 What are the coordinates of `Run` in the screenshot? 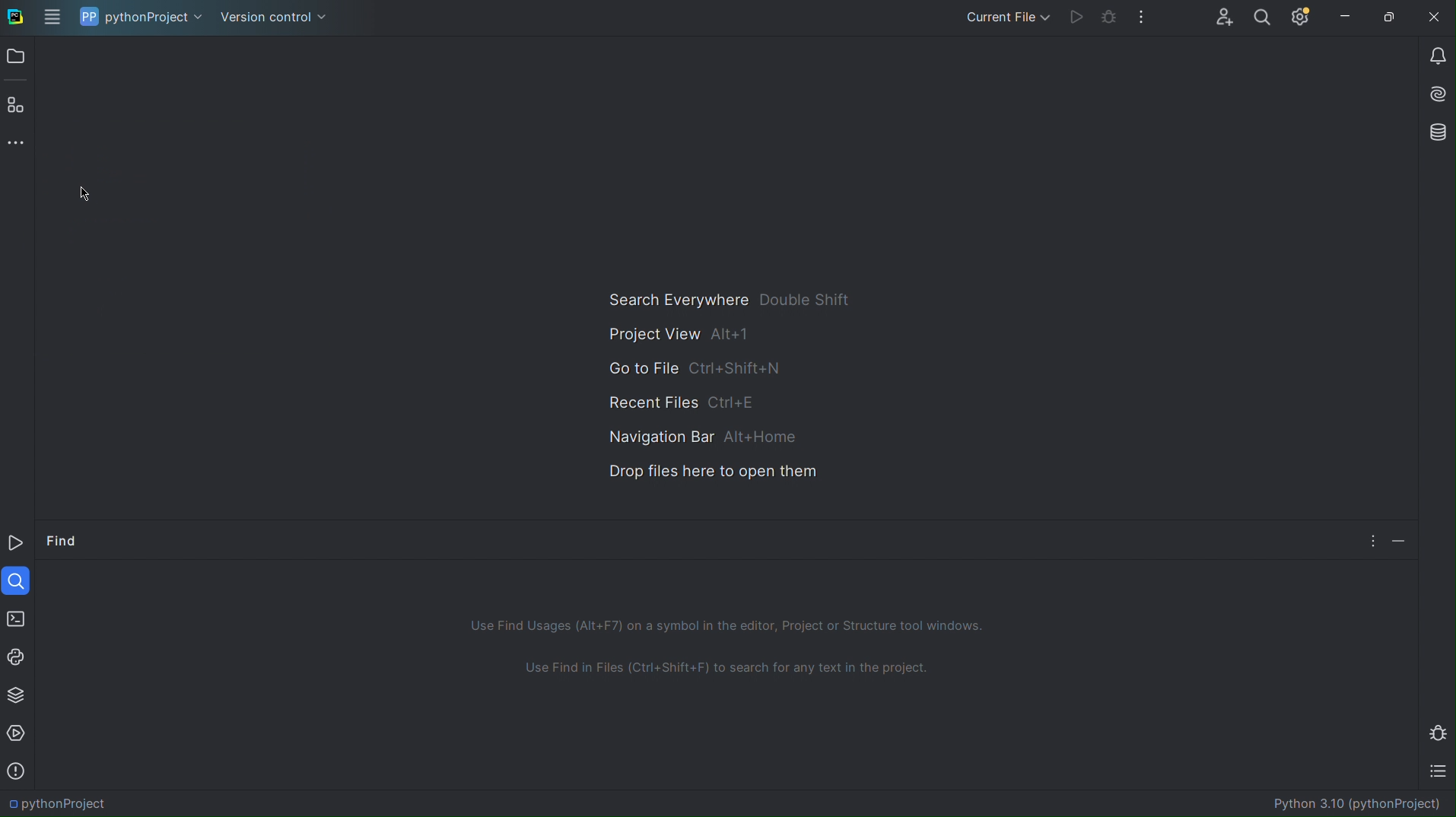 It's located at (17, 542).